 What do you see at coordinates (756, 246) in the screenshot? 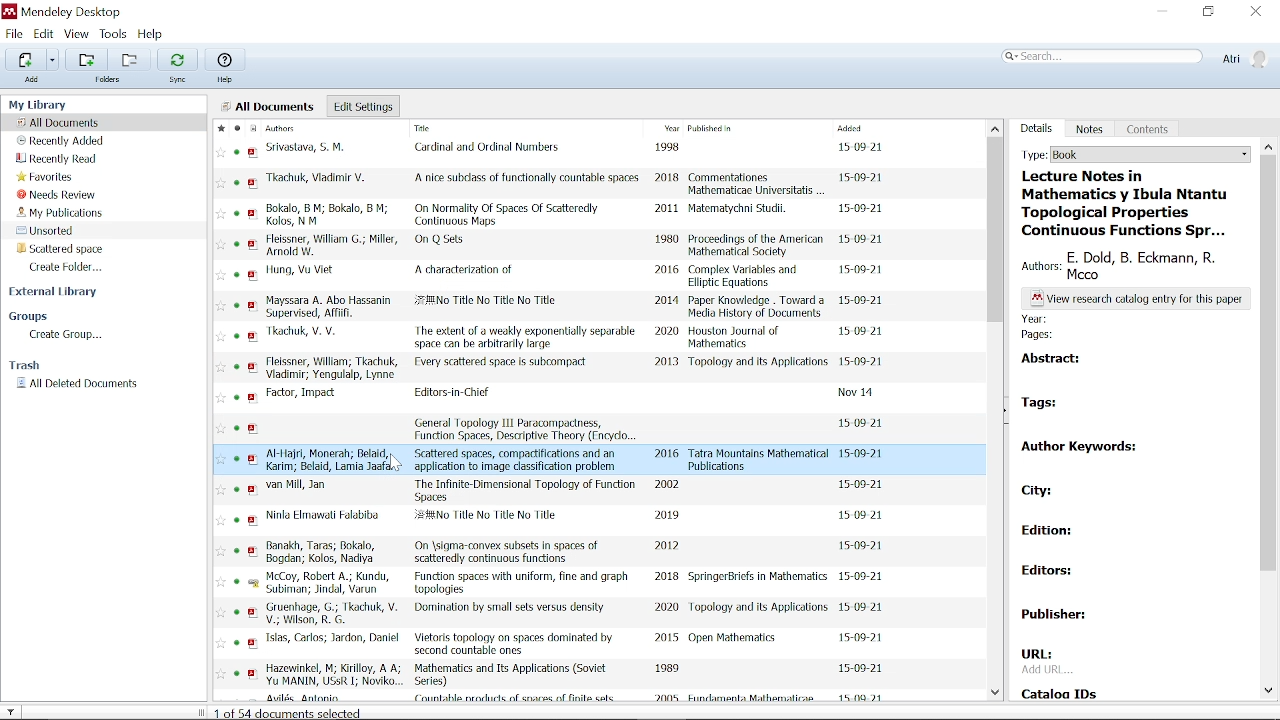
I see `Proceedings of the American
Mathematical Society` at bounding box center [756, 246].